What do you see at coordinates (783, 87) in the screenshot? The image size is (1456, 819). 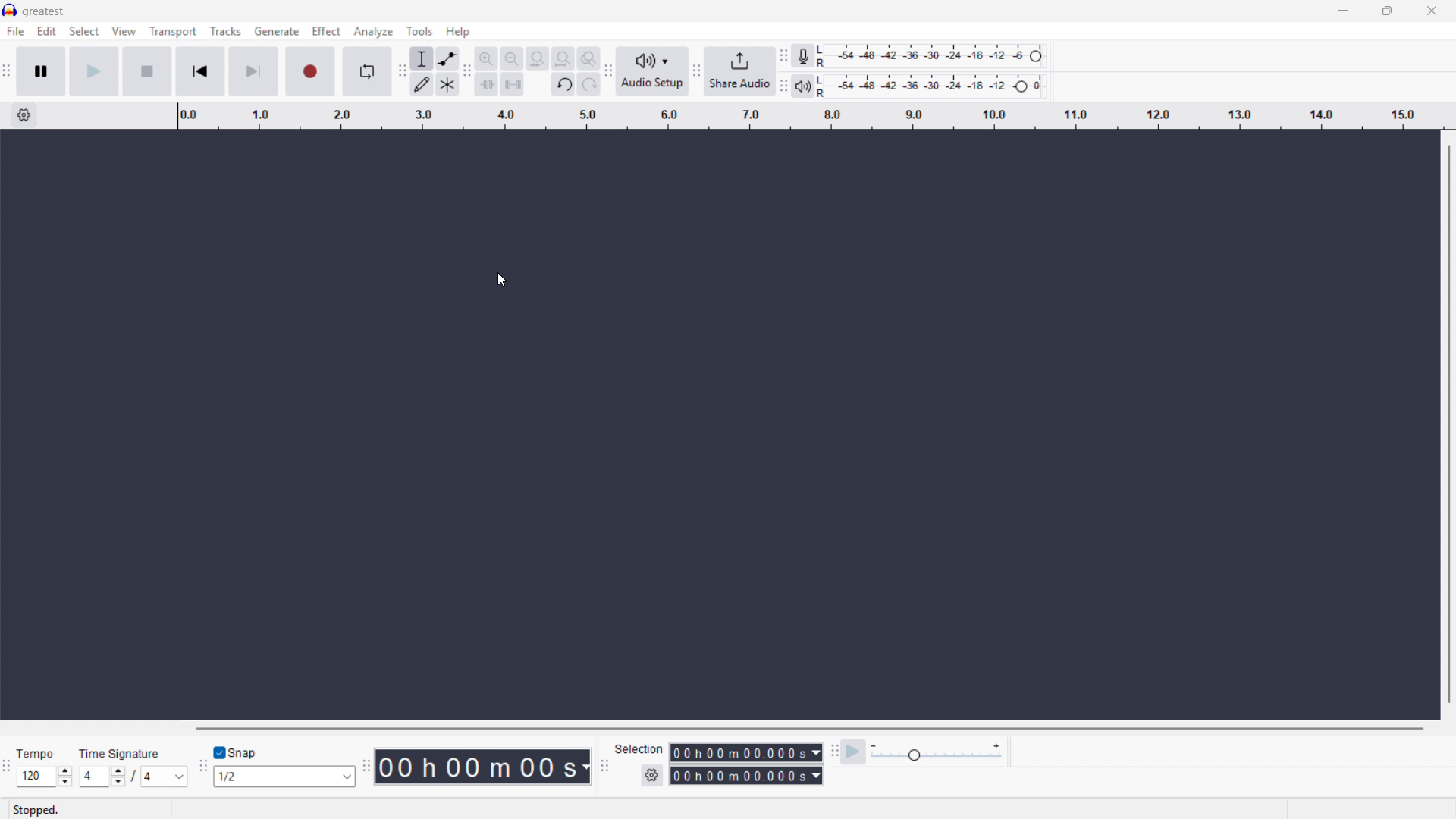 I see `playback metre toolbar` at bounding box center [783, 87].